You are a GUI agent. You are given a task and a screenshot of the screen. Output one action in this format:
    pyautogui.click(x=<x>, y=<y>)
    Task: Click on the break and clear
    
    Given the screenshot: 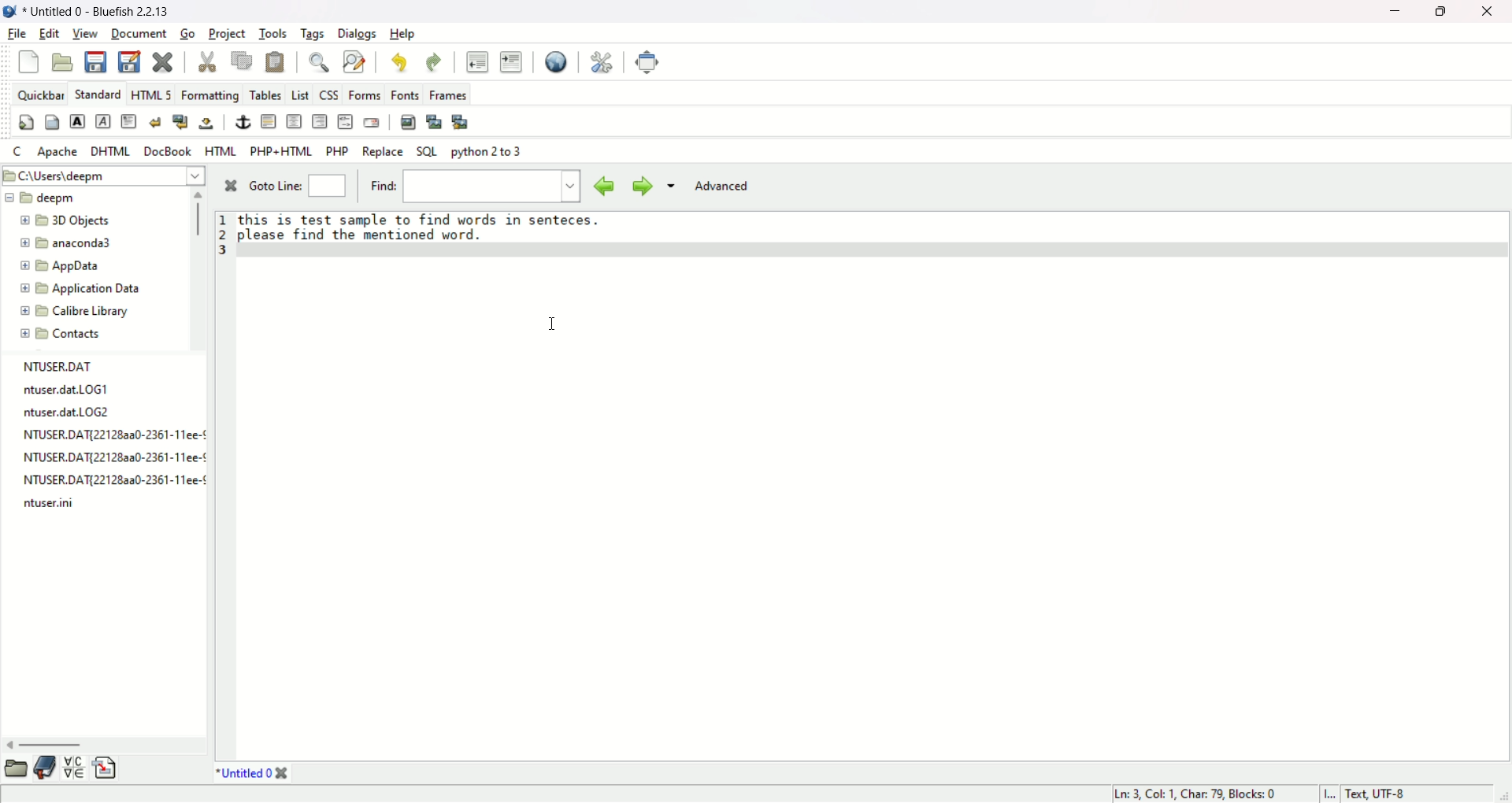 What is the action you would take?
    pyautogui.click(x=178, y=122)
    